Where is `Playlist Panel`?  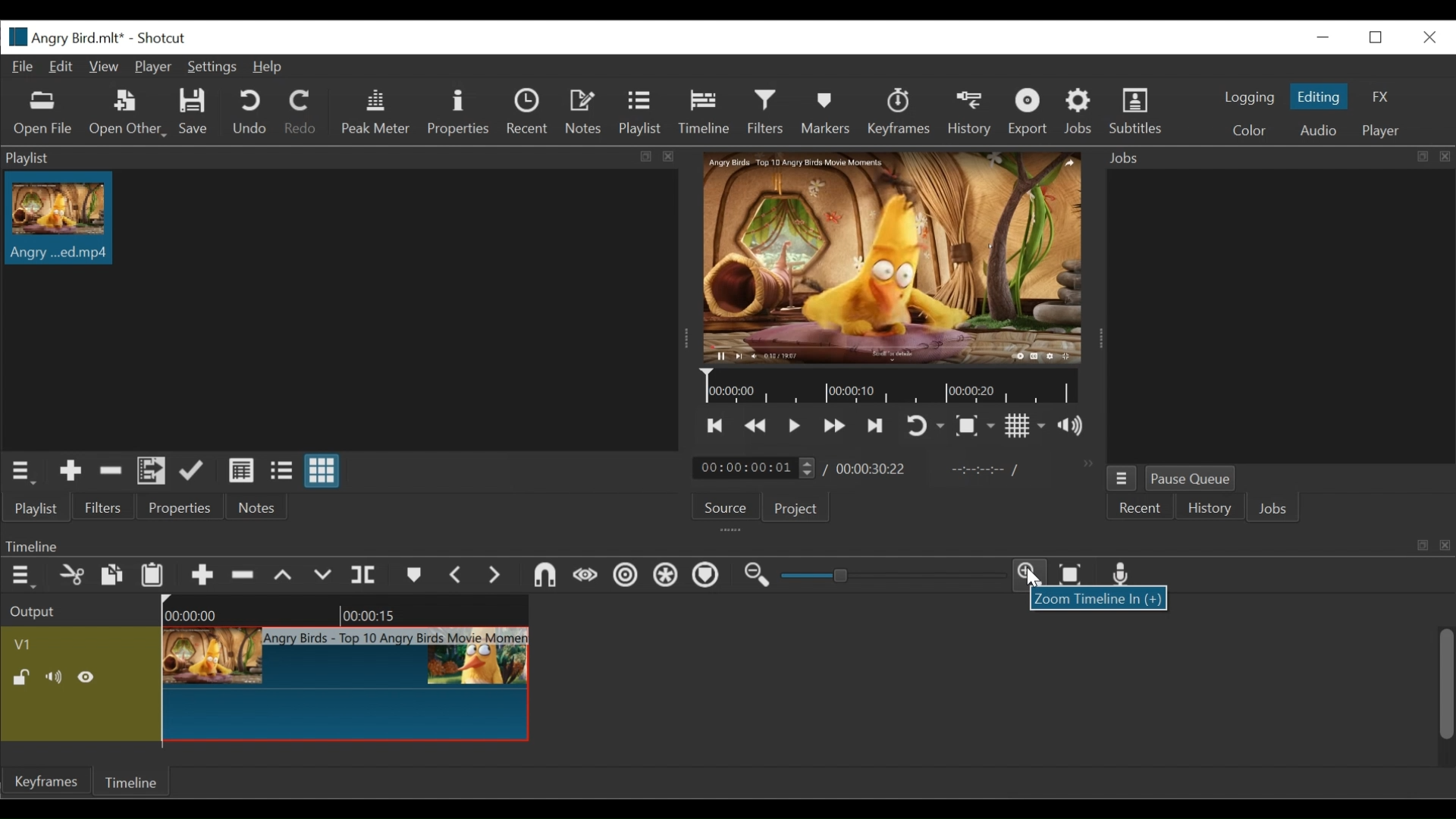 Playlist Panel is located at coordinates (348, 155).